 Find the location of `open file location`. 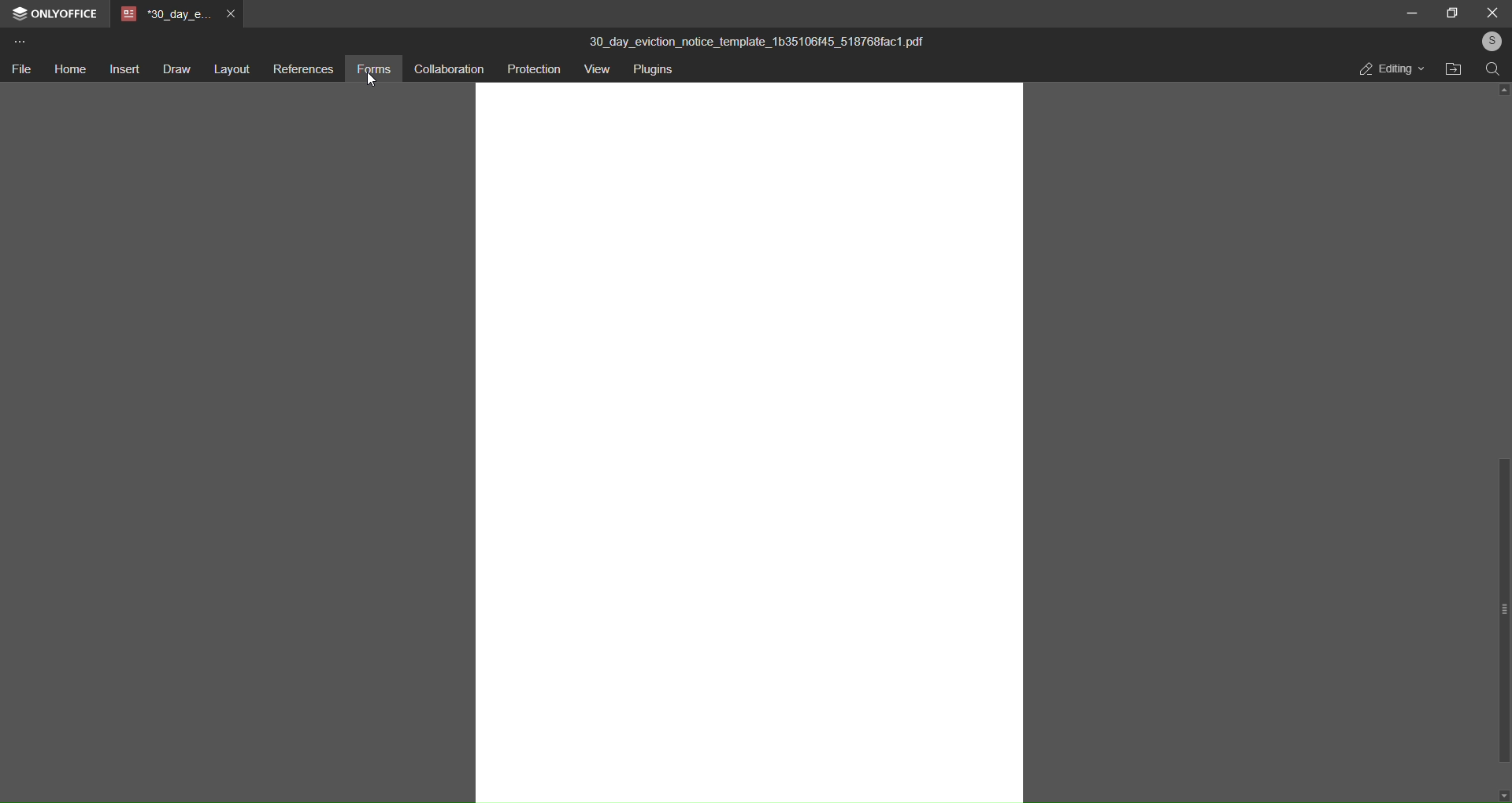

open file location is located at coordinates (1449, 70).